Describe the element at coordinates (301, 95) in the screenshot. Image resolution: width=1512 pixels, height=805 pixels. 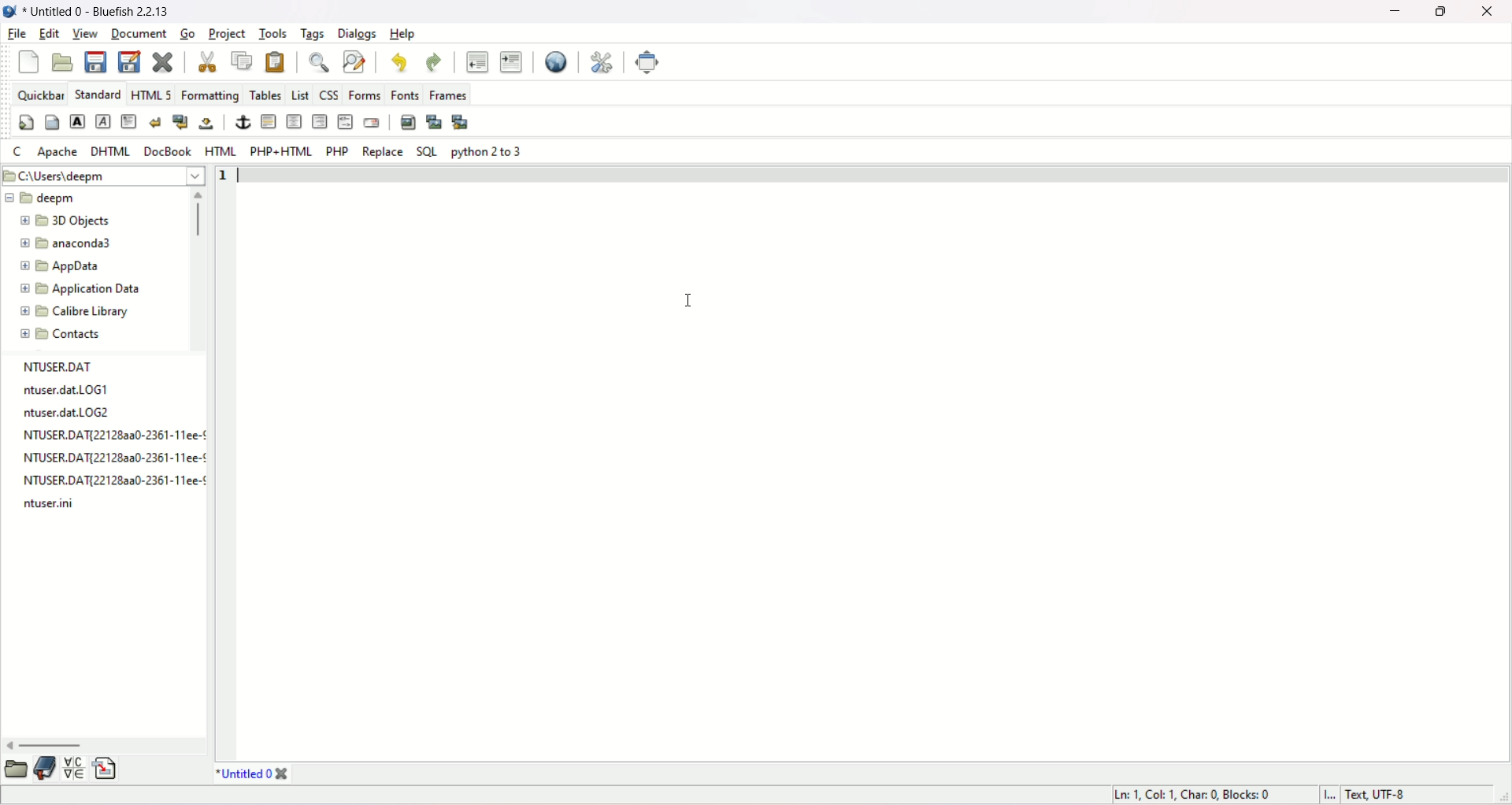
I see `list` at that location.